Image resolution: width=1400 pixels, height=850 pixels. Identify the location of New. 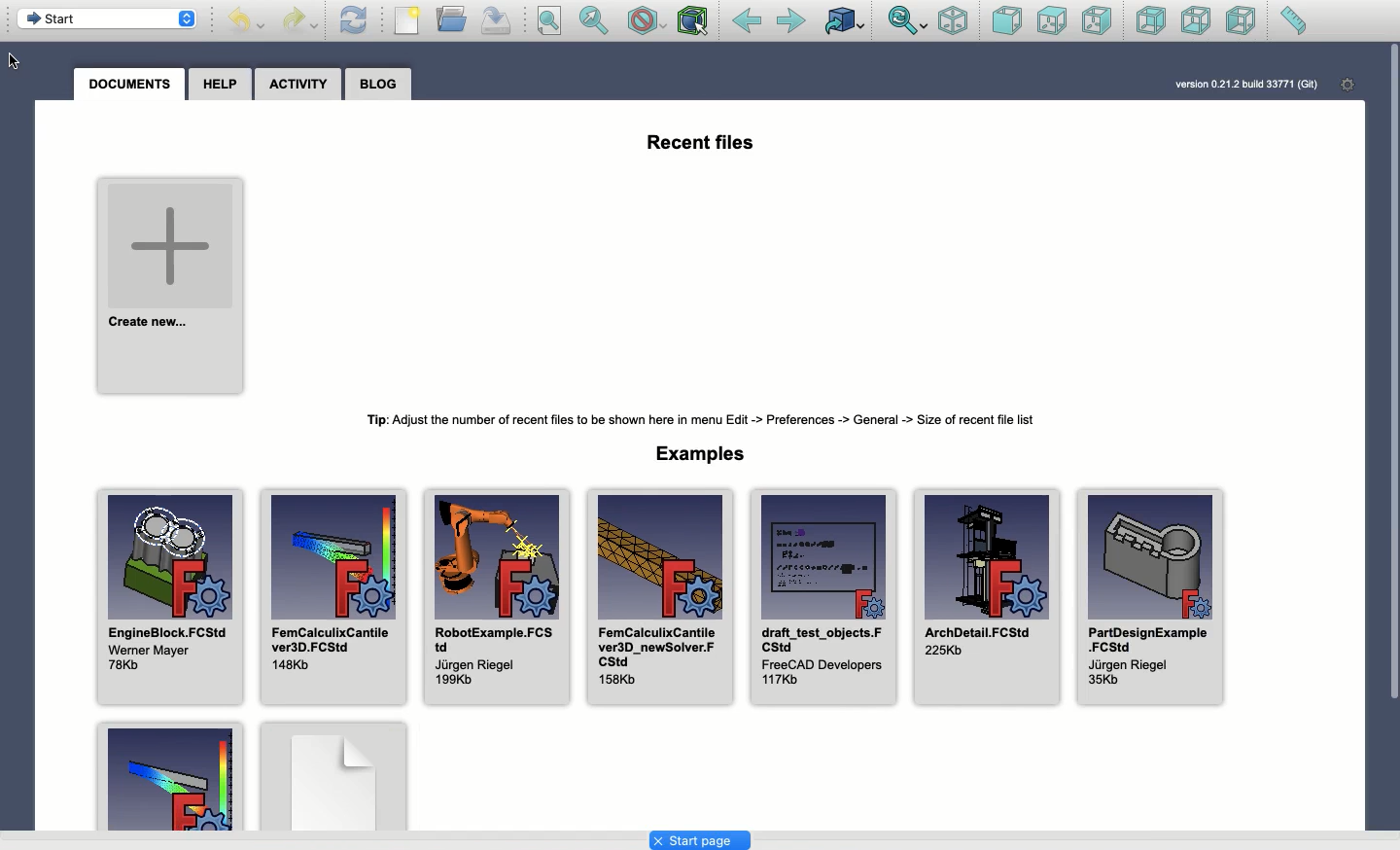
(408, 20).